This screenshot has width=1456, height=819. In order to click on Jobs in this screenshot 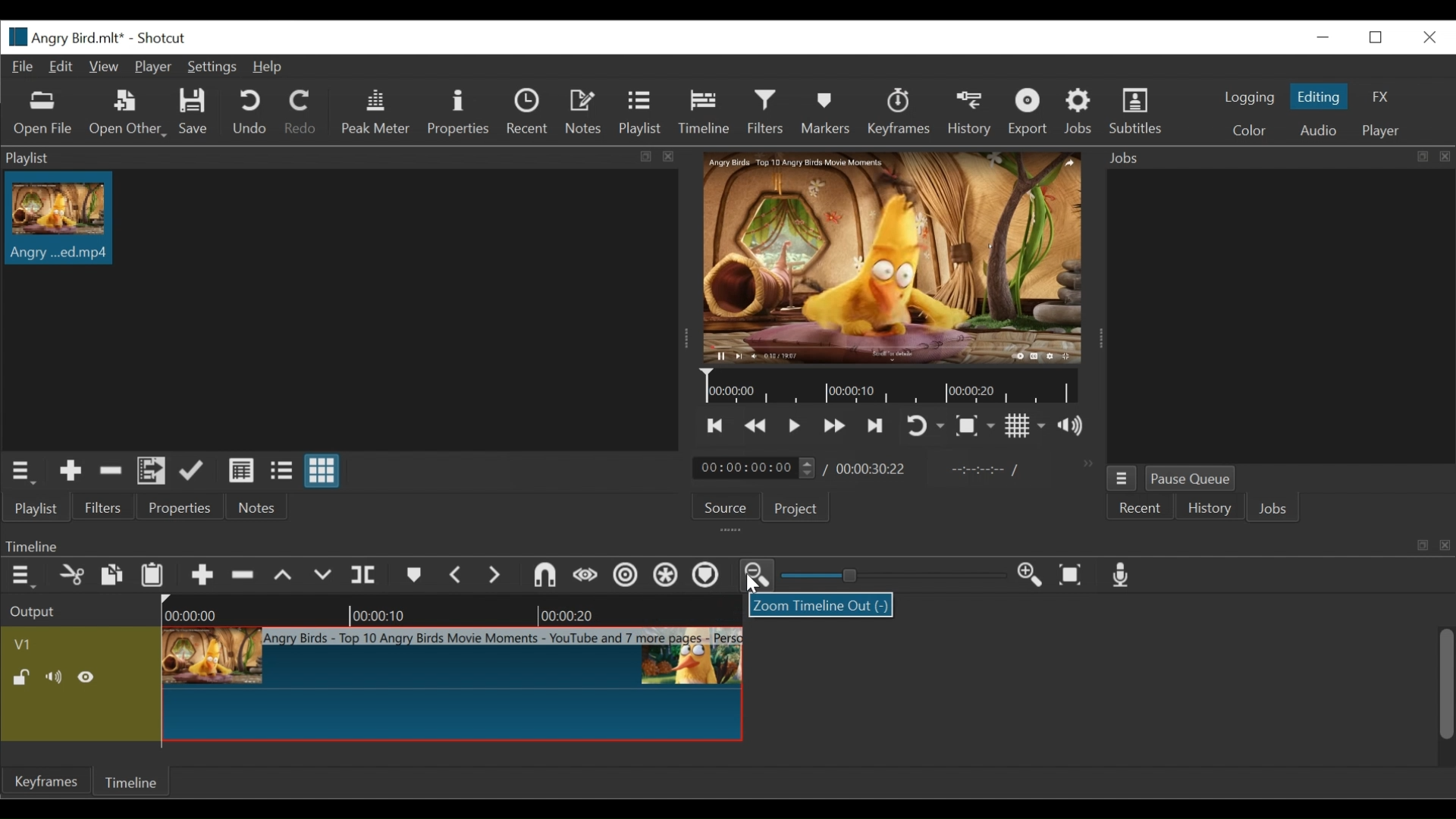, I will do `click(1273, 510)`.